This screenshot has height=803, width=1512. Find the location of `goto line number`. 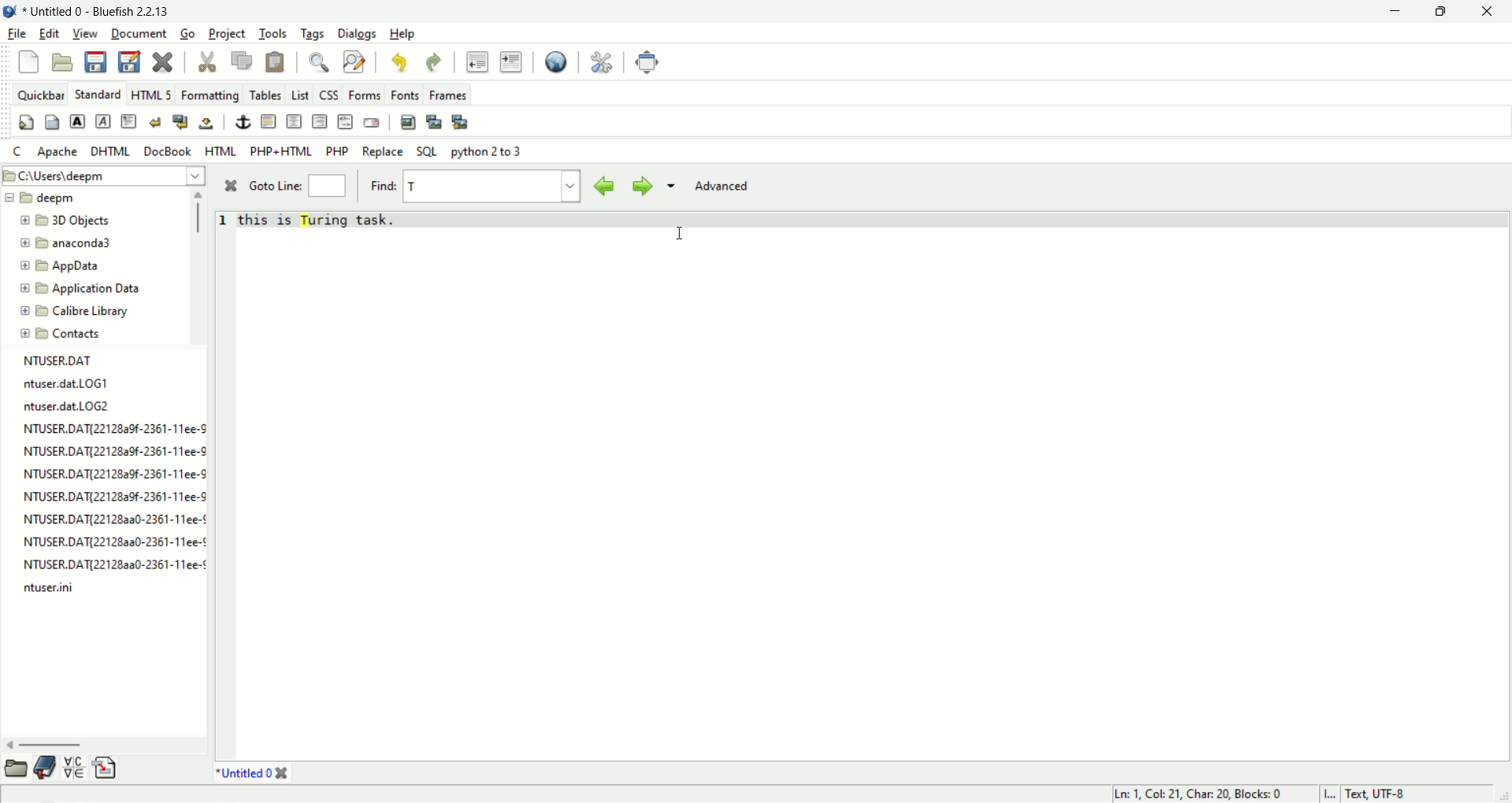

goto line number is located at coordinates (327, 187).